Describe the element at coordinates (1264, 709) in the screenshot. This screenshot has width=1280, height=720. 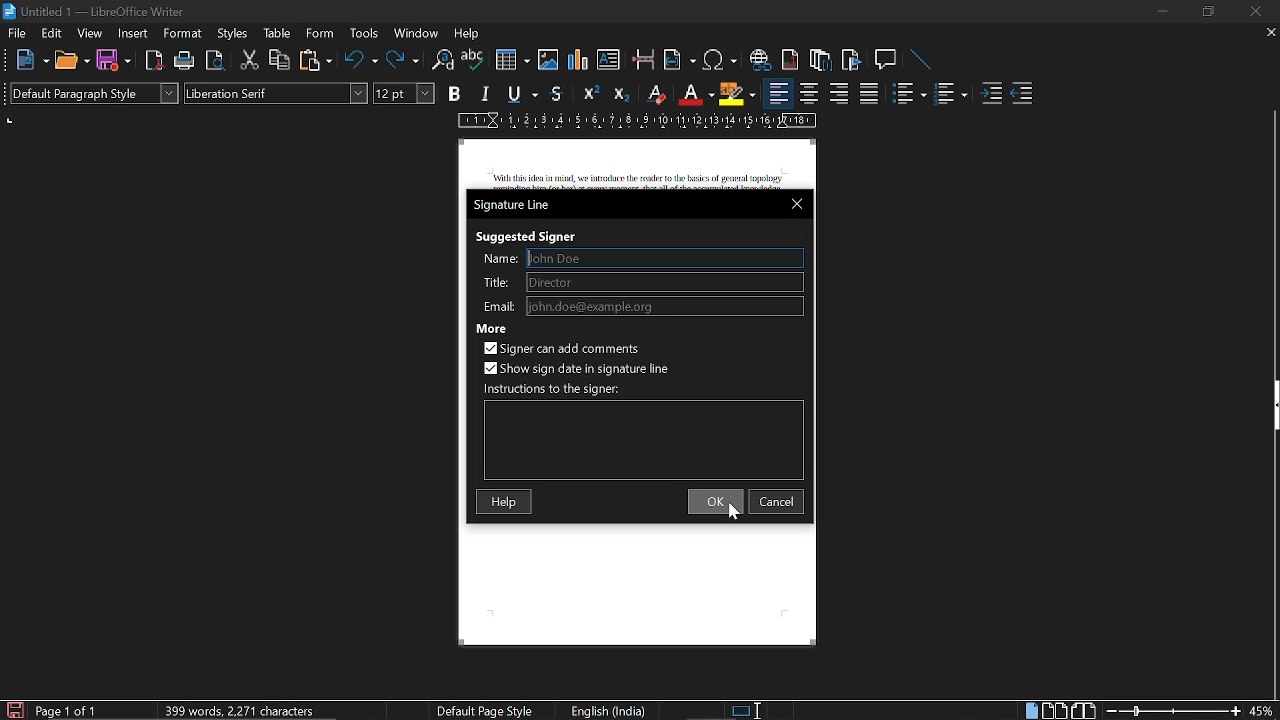
I see `current zoom` at that location.